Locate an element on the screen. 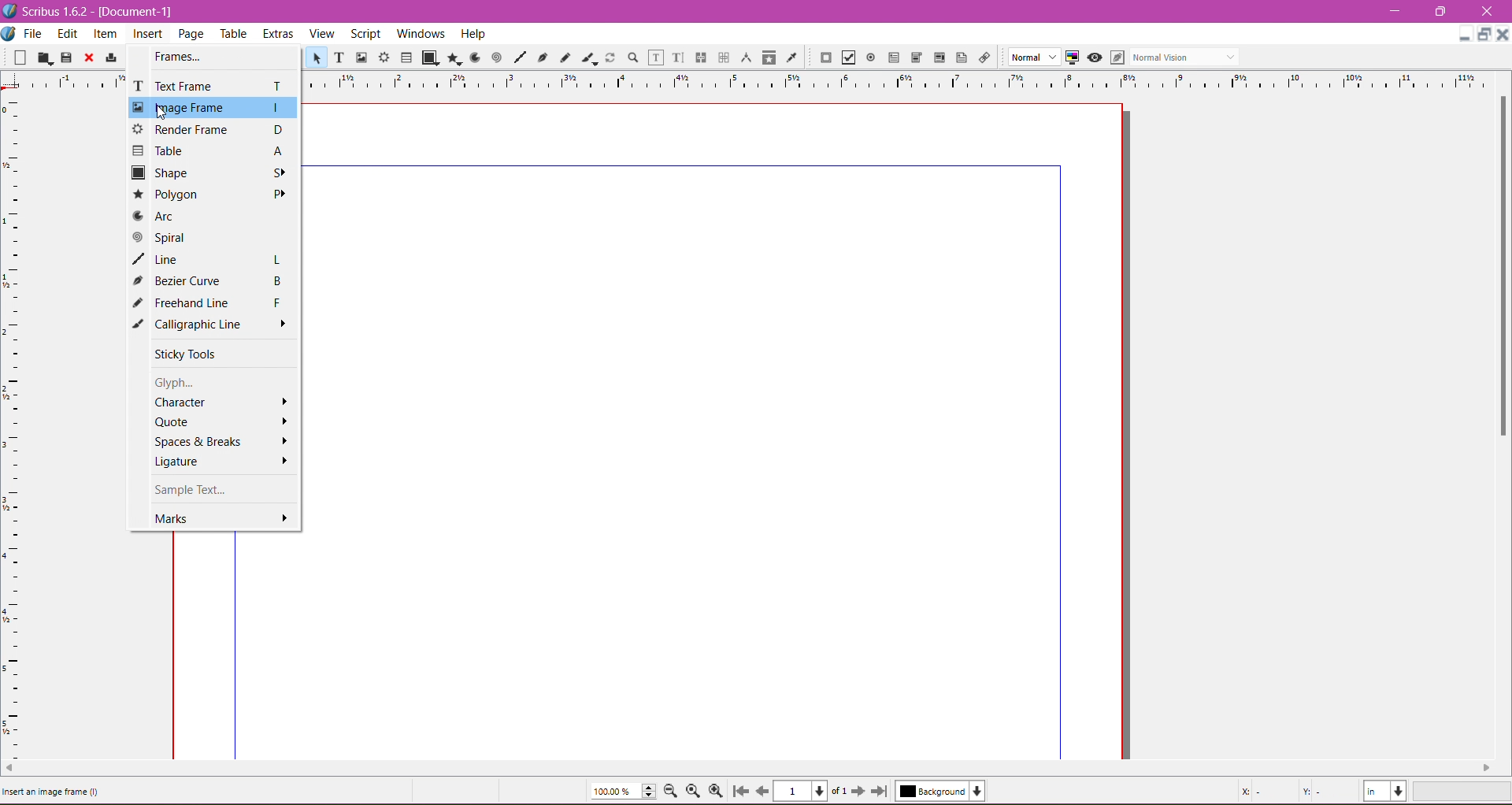  Zoom Level is located at coordinates (1464, 792).